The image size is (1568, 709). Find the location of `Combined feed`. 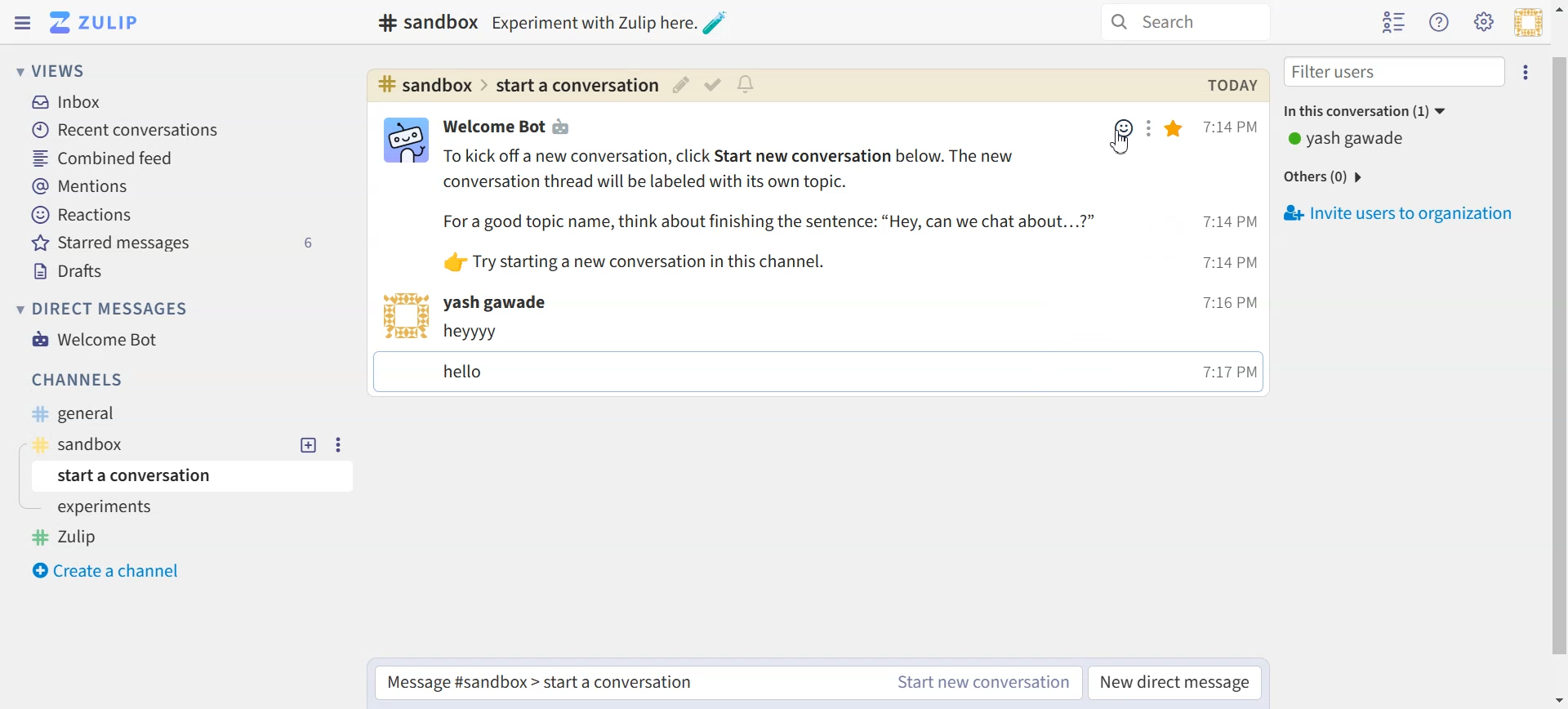

Combined feed is located at coordinates (107, 159).